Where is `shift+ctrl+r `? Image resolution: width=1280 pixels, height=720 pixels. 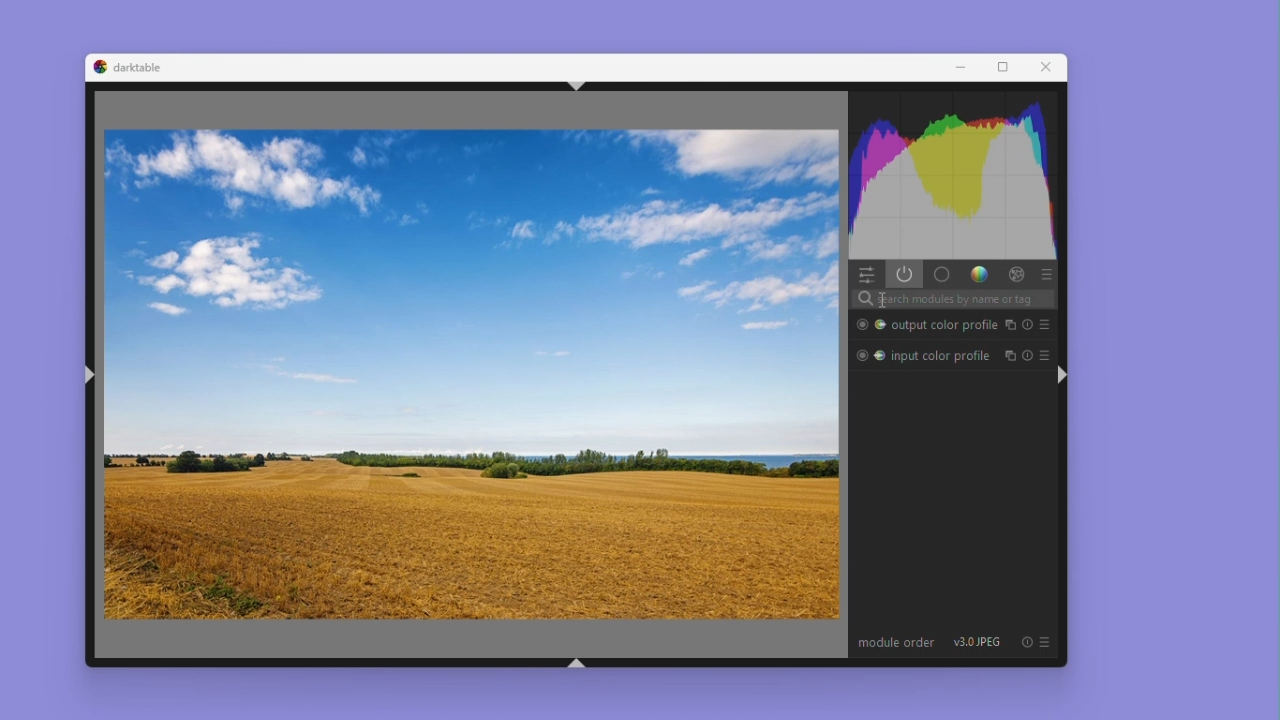 shift+ctrl+r  is located at coordinates (1062, 374).